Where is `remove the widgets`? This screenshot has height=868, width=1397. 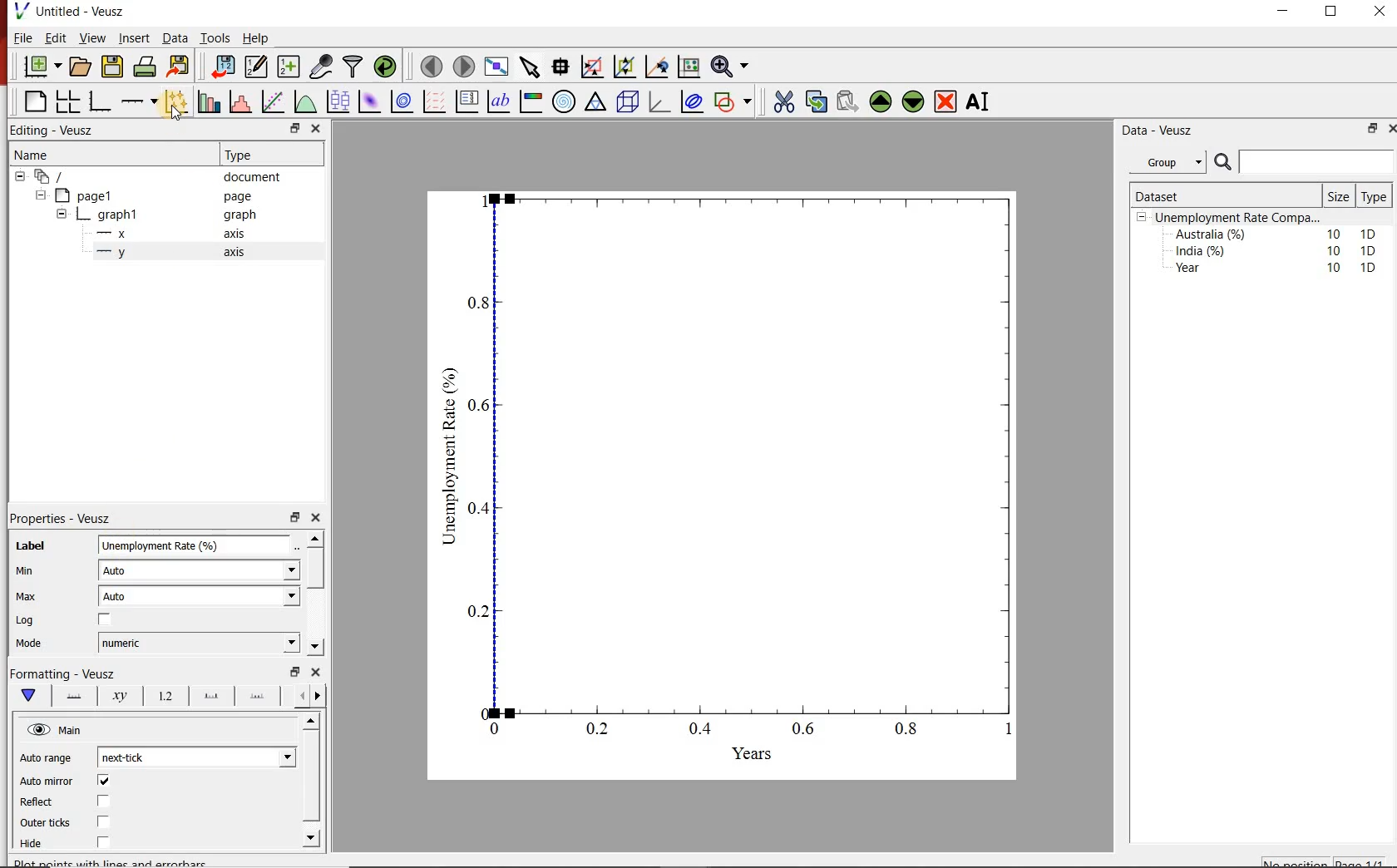 remove the widgets is located at coordinates (945, 101).